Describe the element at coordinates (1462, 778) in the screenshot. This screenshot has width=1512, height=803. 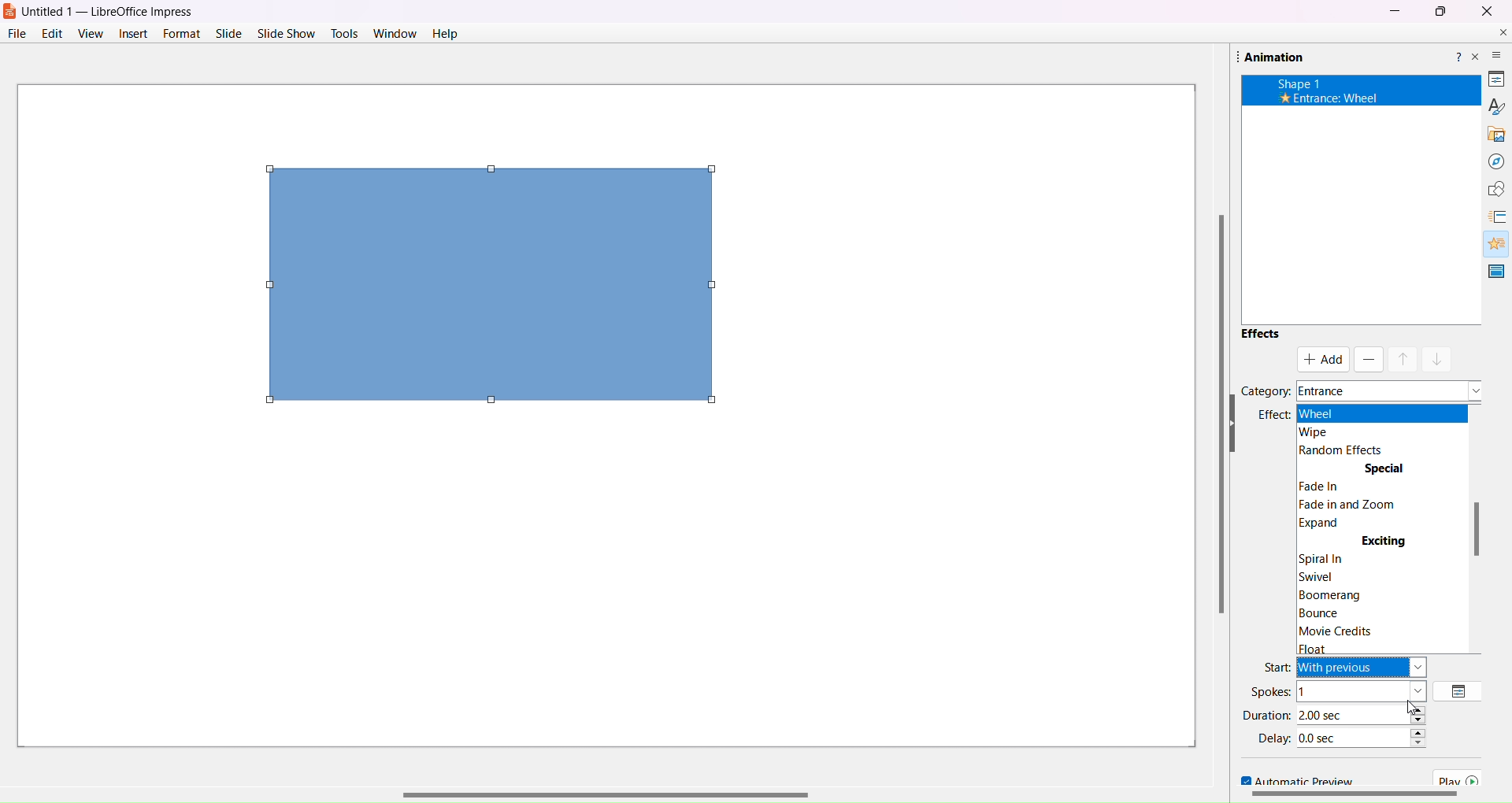
I see `Play` at that location.